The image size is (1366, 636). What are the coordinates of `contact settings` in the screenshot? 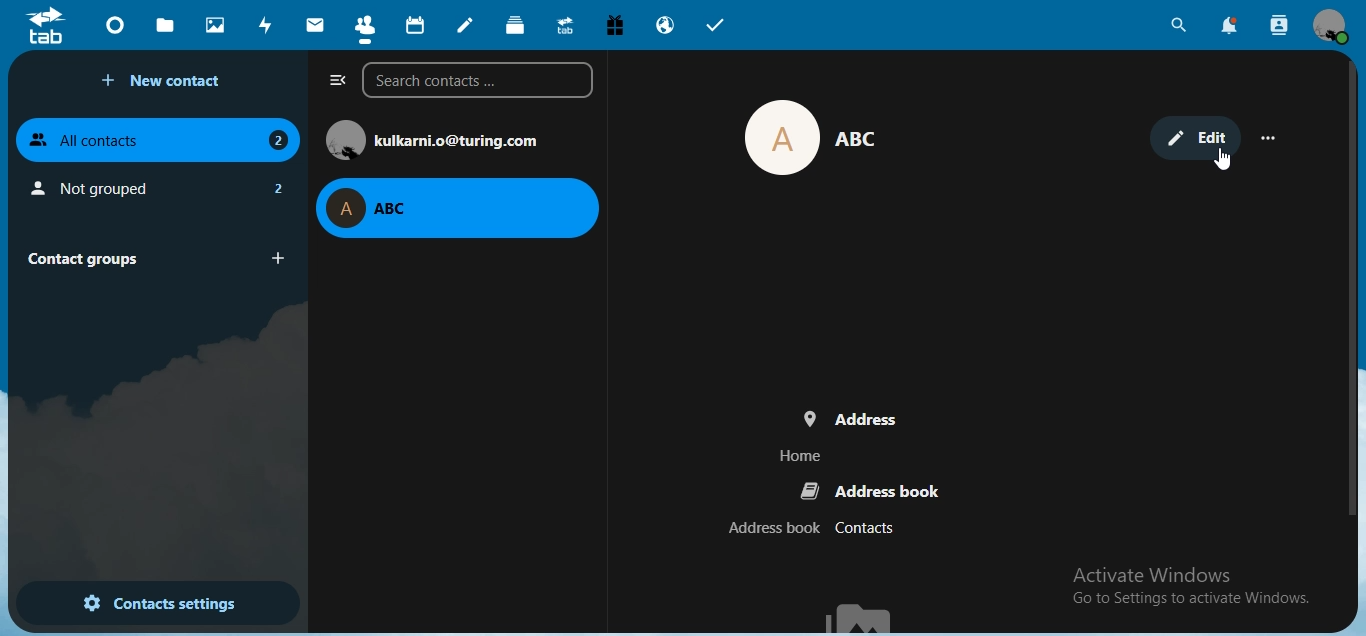 It's located at (145, 601).